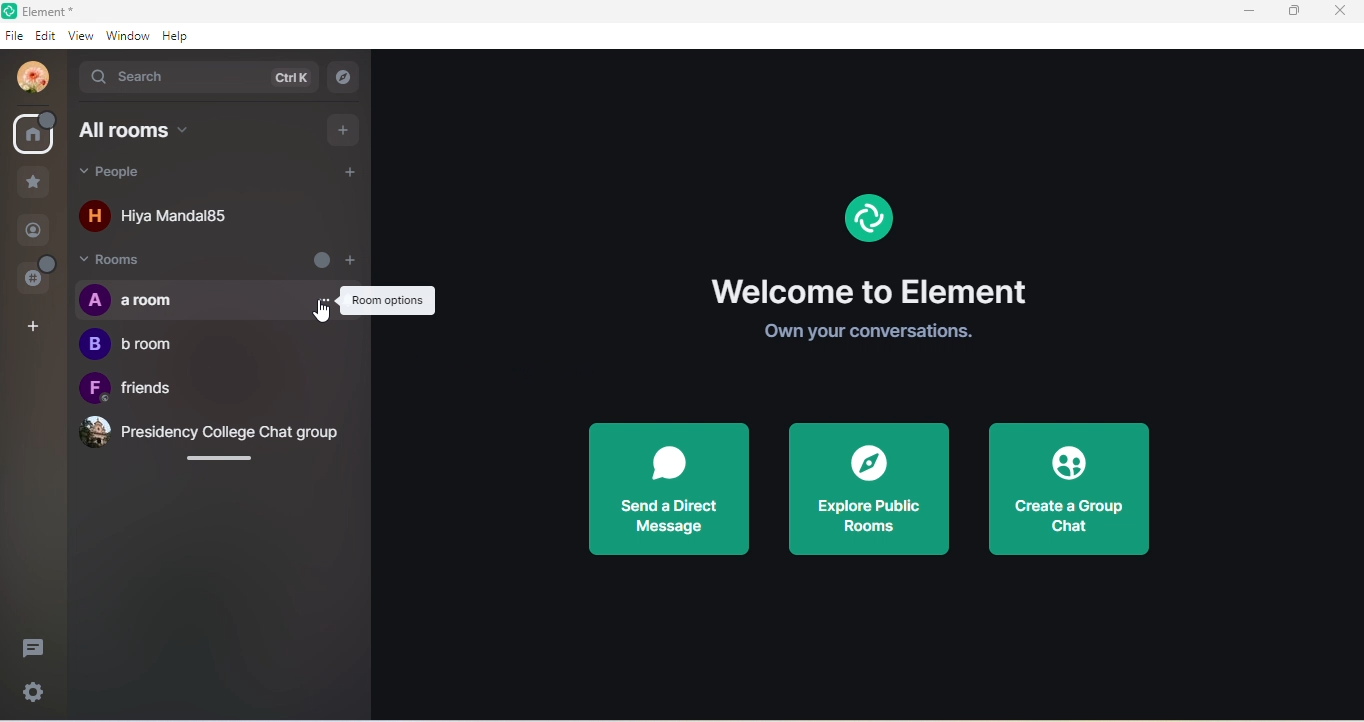 The height and width of the screenshot is (722, 1364). What do you see at coordinates (1069, 493) in the screenshot?
I see `create a group chat` at bounding box center [1069, 493].